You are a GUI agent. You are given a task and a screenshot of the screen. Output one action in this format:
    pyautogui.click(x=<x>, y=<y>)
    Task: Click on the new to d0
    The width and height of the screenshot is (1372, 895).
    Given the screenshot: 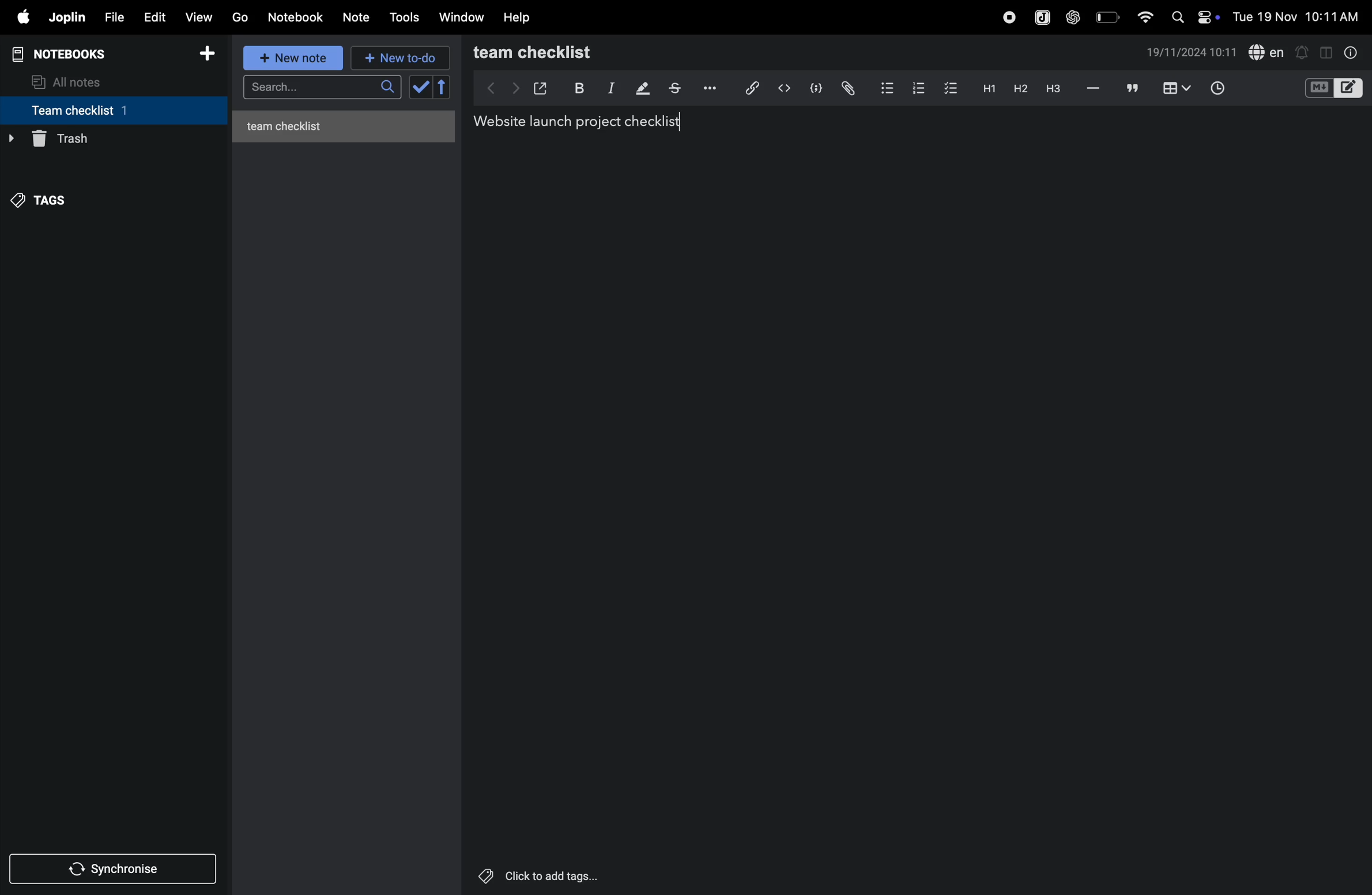 What is the action you would take?
    pyautogui.click(x=398, y=58)
    